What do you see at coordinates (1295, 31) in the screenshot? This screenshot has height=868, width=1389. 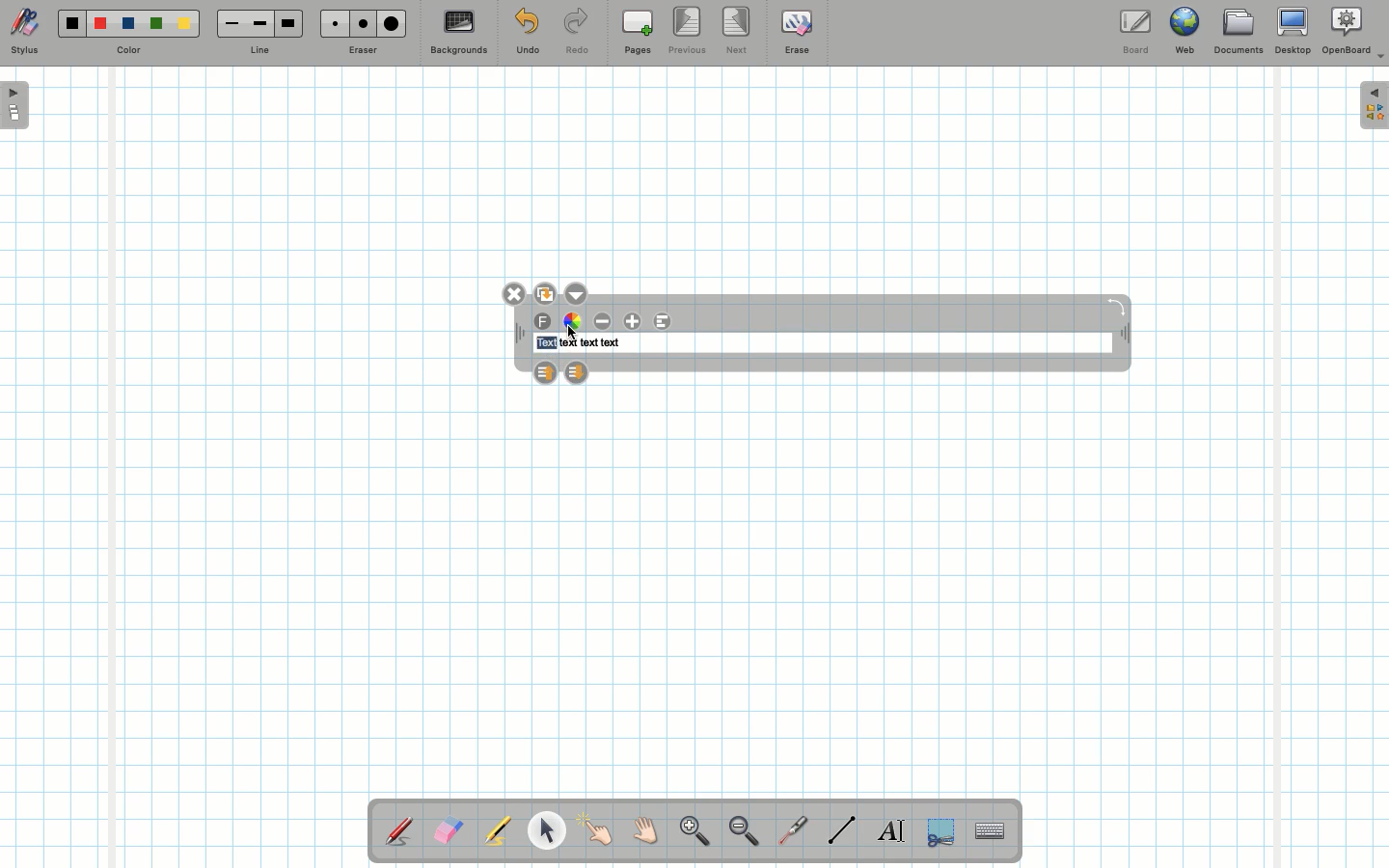 I see `Desktop` at bounding box center [1295, 31].